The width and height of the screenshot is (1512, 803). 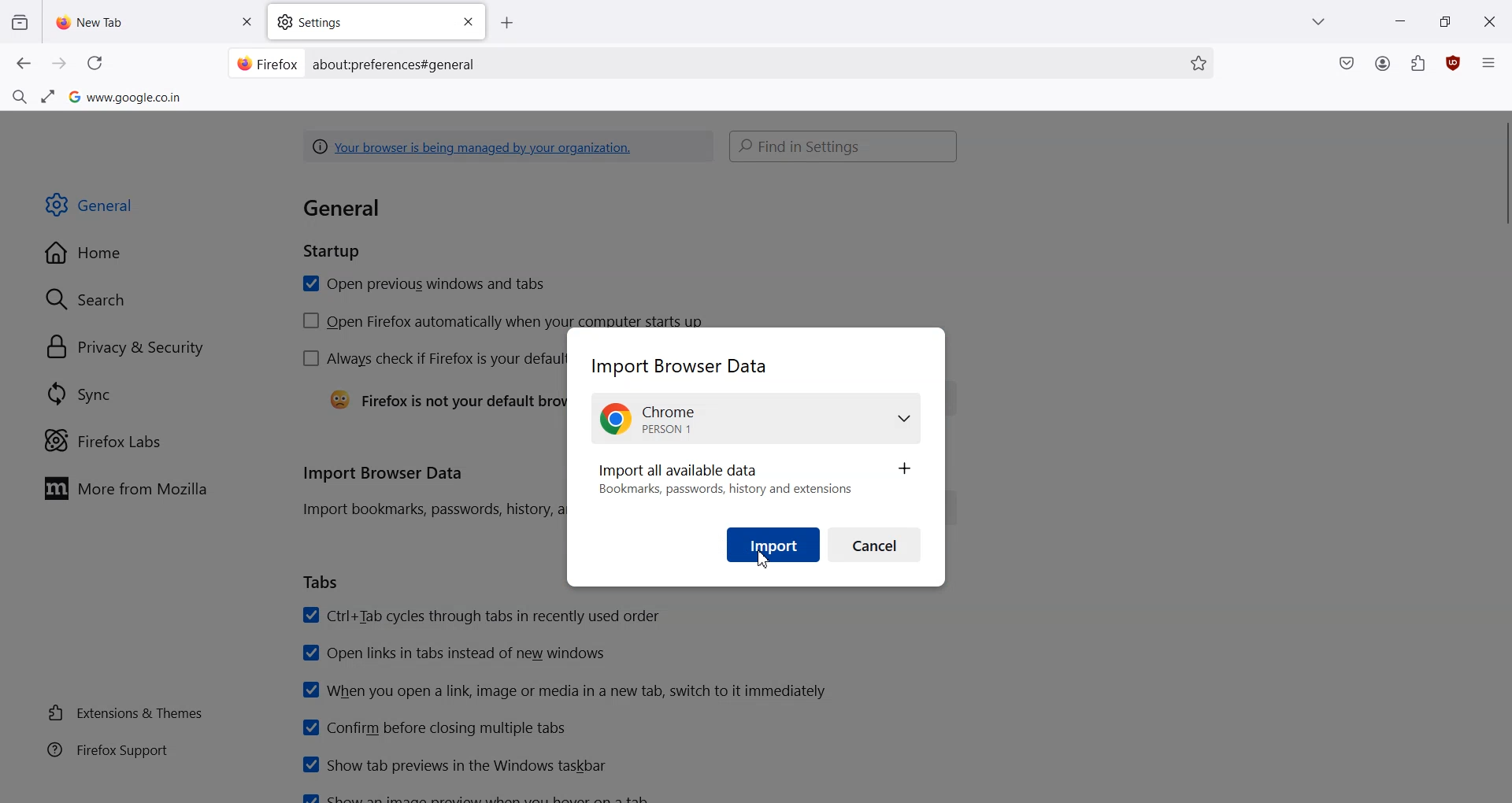 I want to click on Open previous windows and tabs, so click(x=422, y=284).